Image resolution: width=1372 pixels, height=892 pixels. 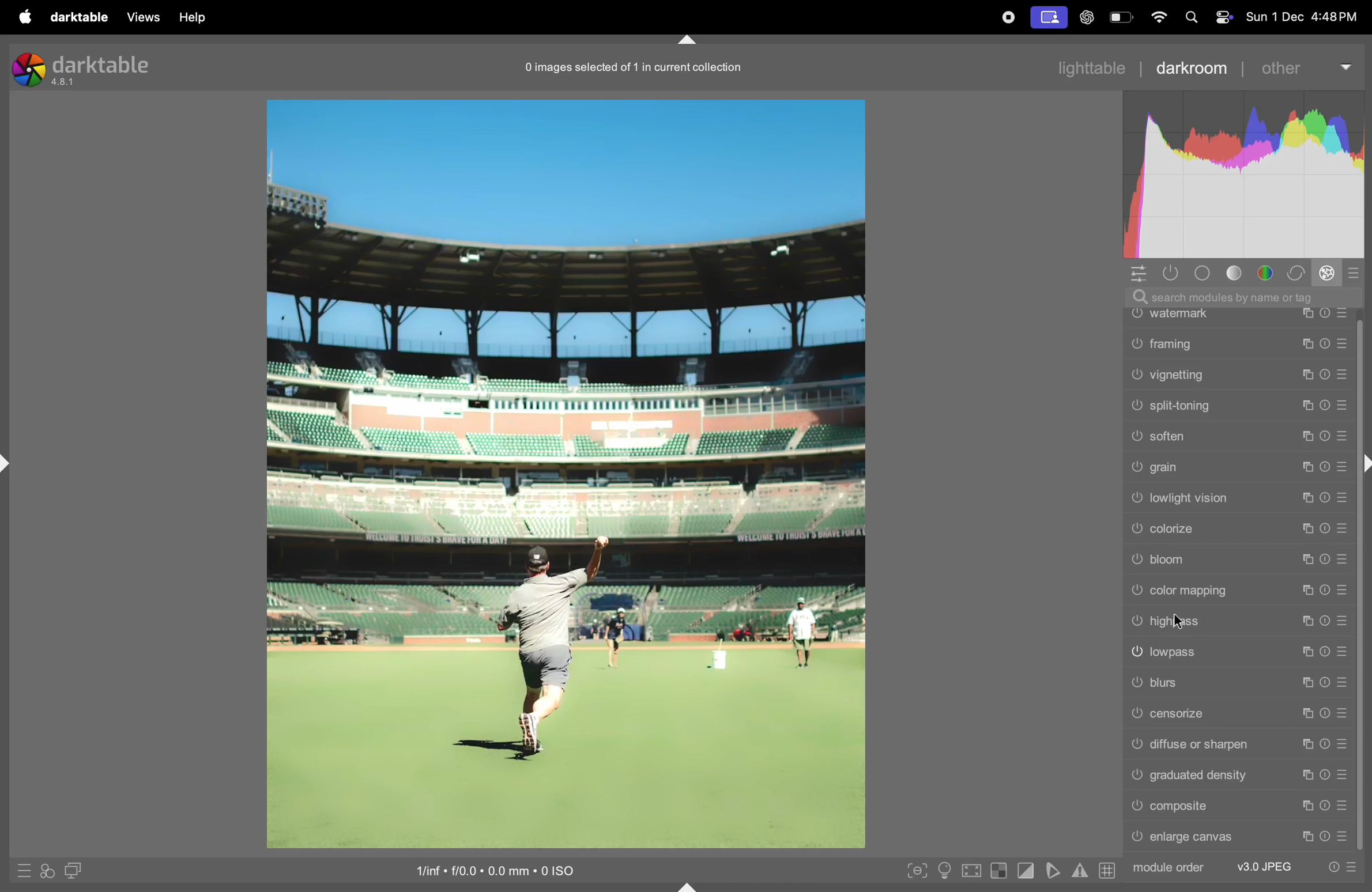 I want to click on scrolling, so click(x=1238, y=409).